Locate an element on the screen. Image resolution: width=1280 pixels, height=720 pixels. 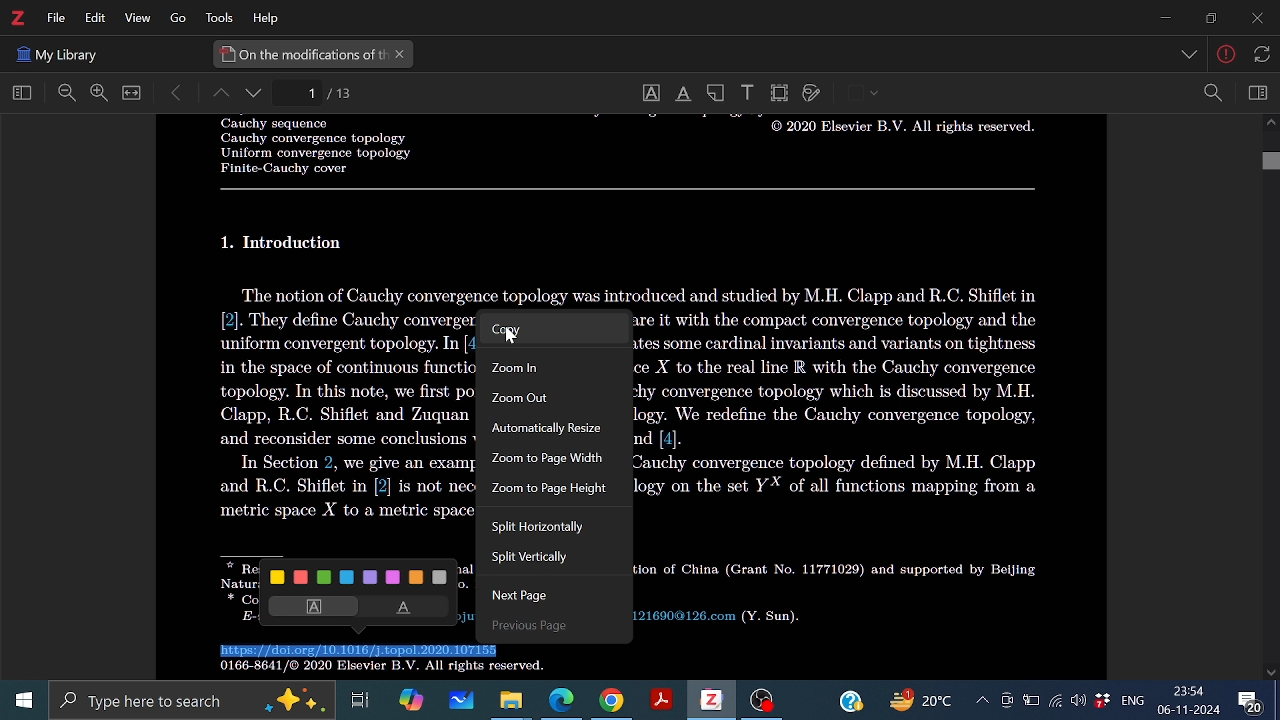
dropbox is located at coordinates (1103, 702).